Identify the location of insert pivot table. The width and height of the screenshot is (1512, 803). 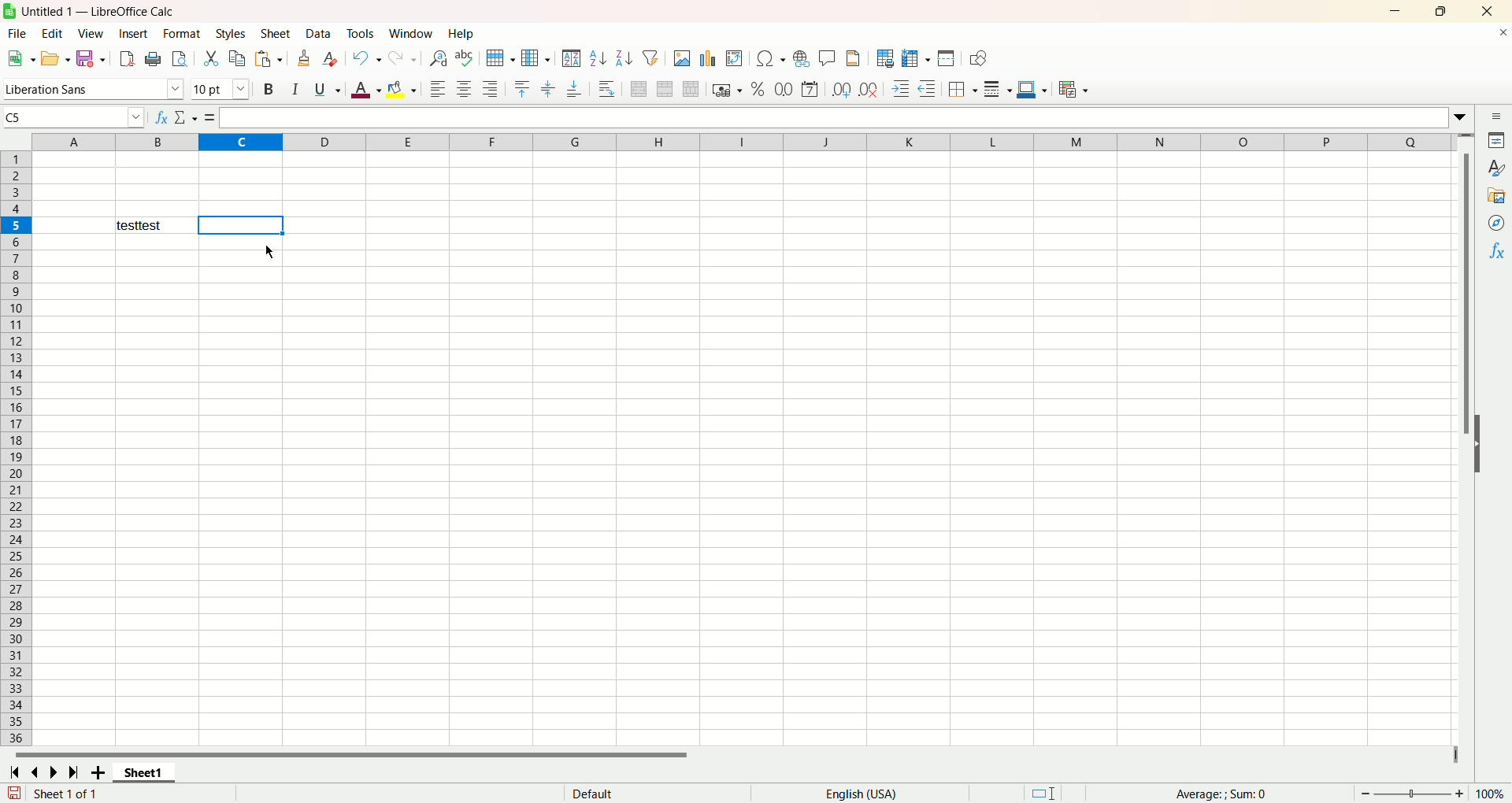
(735, 58).